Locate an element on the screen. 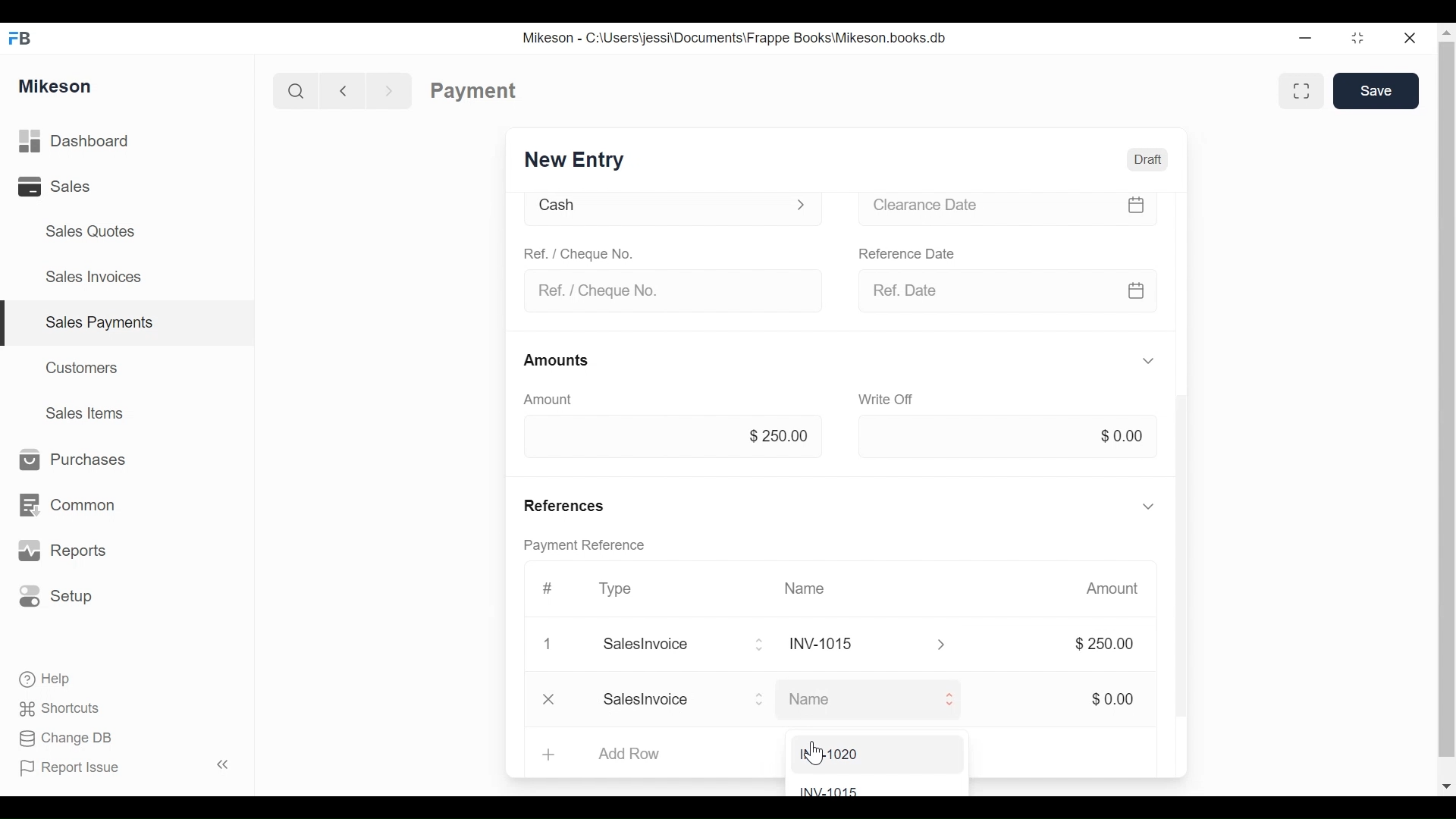 The width and height of the screenshot is (1456, 819). Ref date is located at coordinates (1022, 293).